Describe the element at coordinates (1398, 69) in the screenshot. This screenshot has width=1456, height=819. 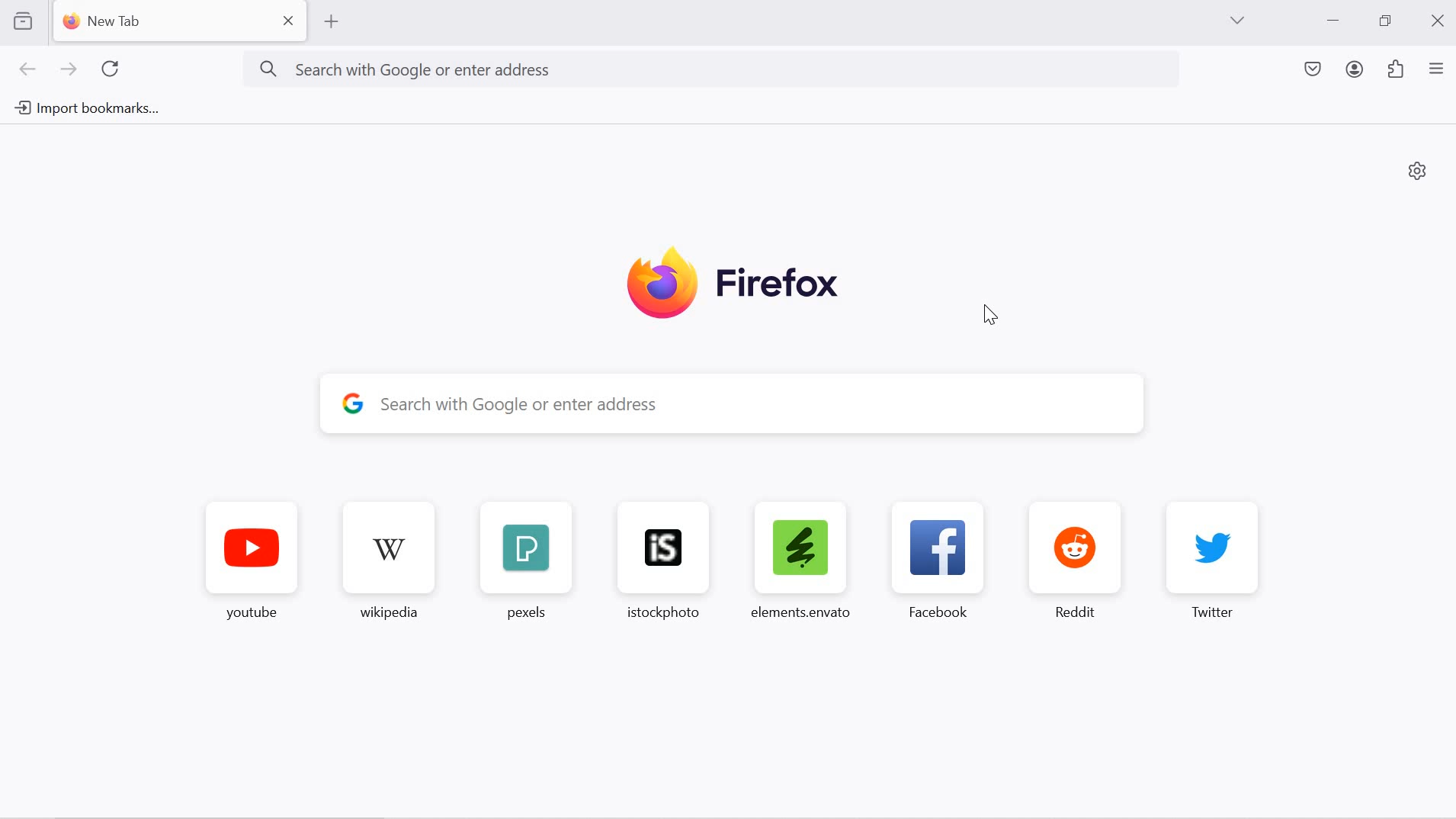
I see `extensions` at that location.